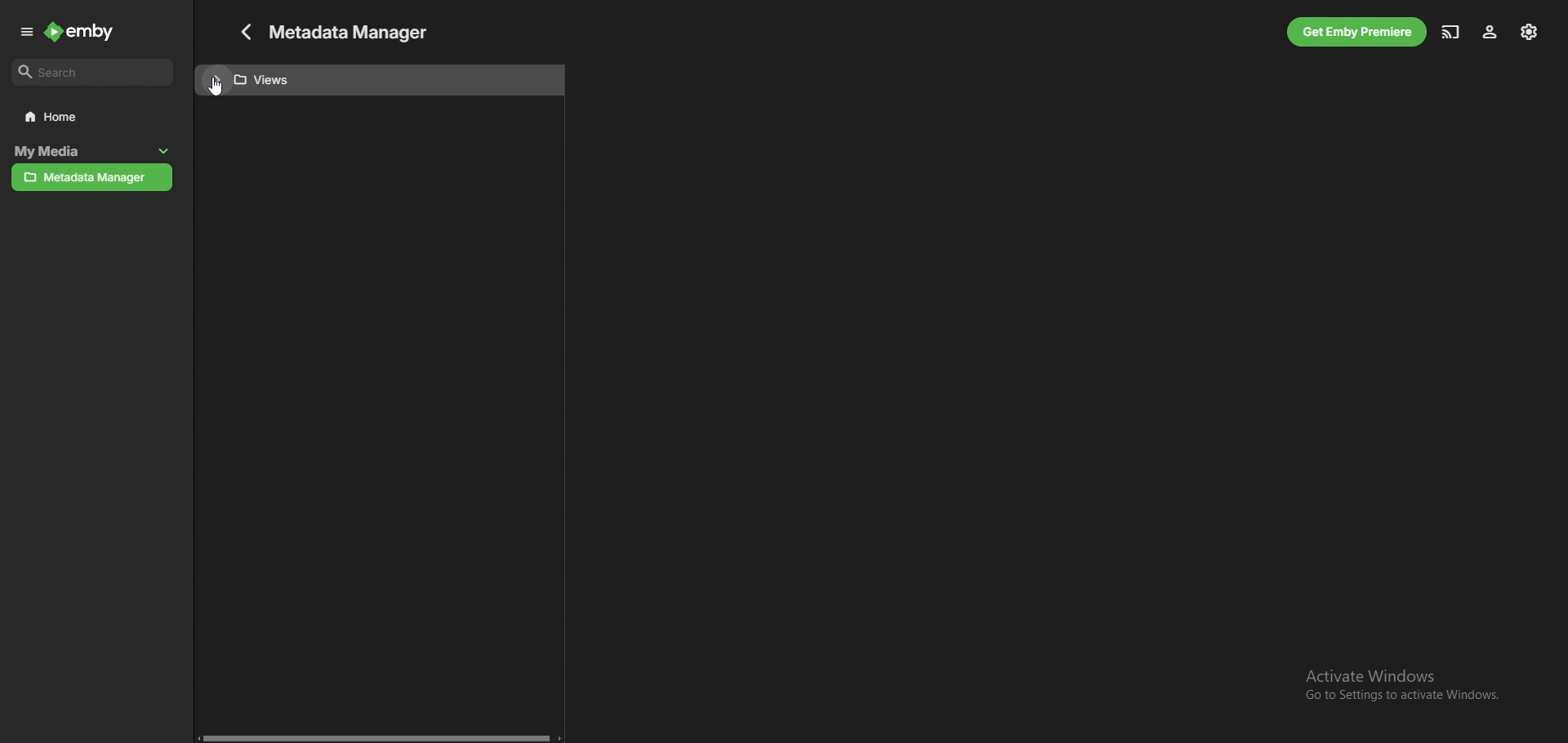 This screenshot has width=1568, height=743. Describe the element at coordinates (559, 737) in the screenshot. I see `go right` at that location.